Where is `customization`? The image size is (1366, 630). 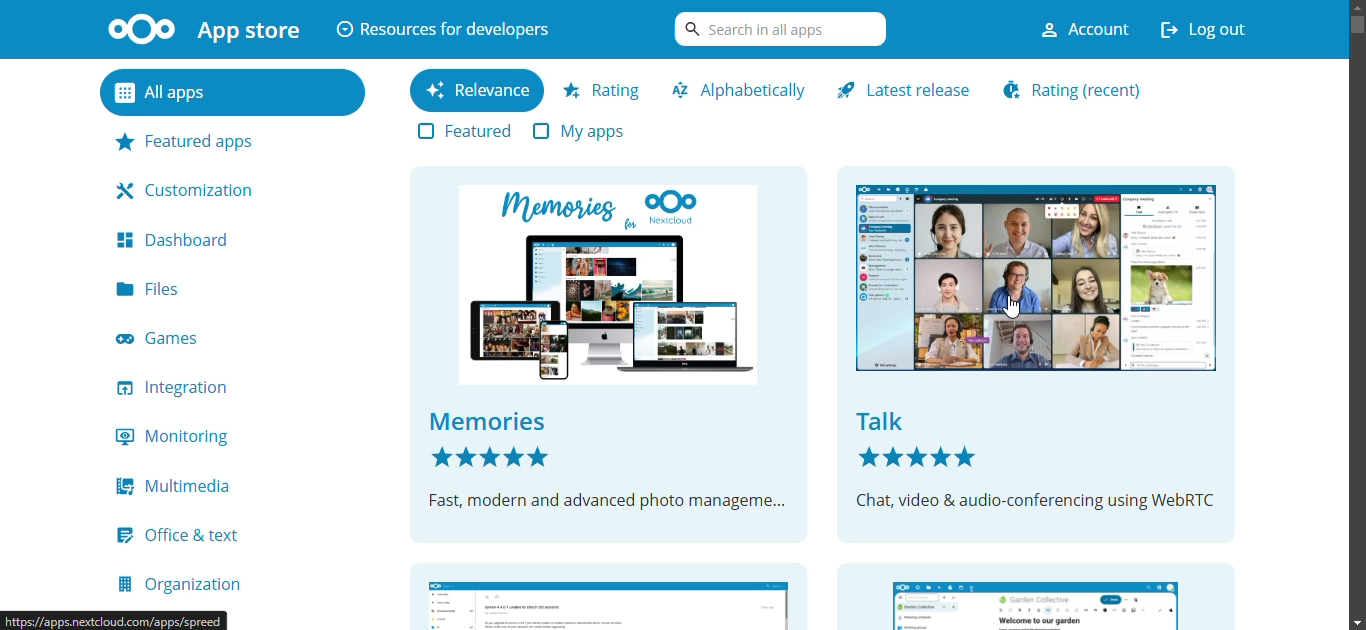 customization is located at coordinates (192, 188).